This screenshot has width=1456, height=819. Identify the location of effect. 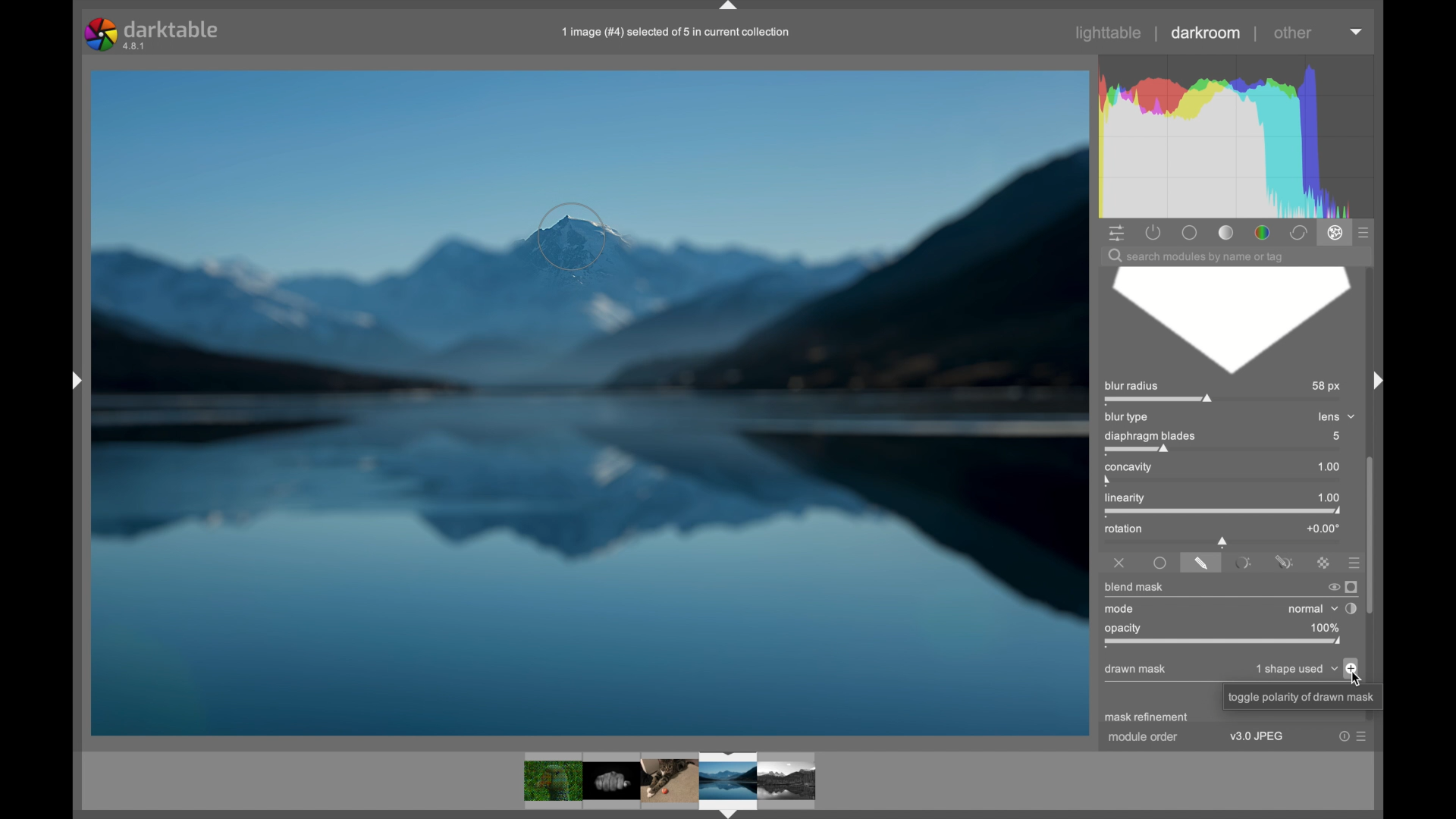
(1335, 234).